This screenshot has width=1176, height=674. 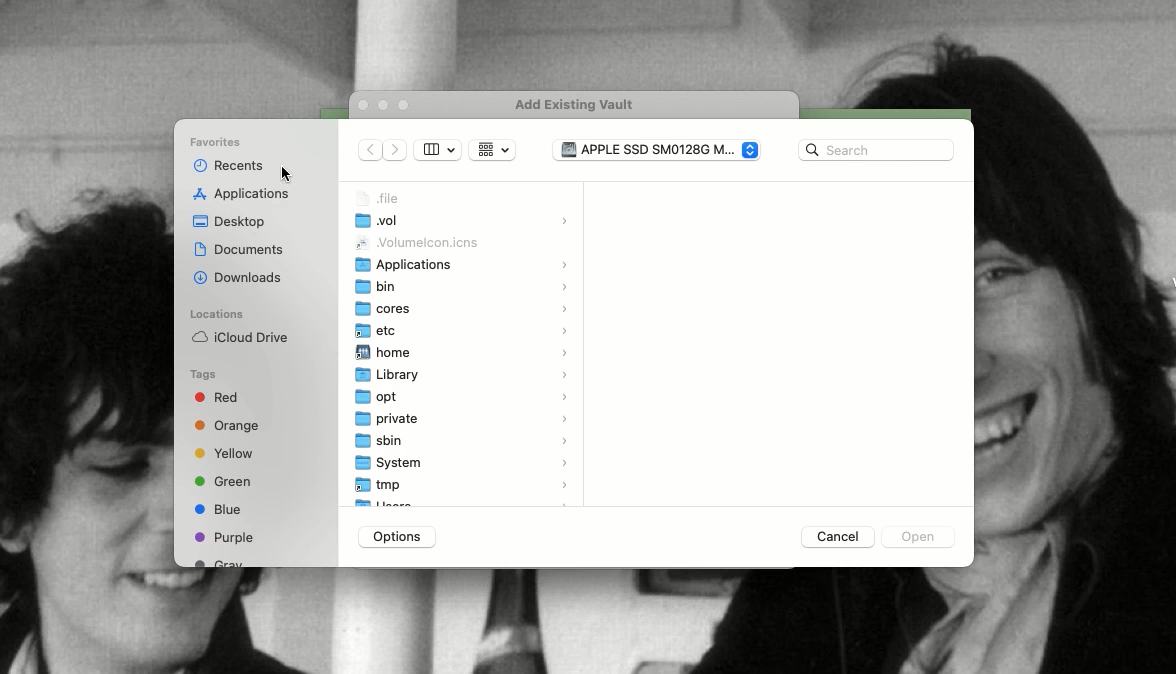 What do you see at coordinates (876, 150) in the screenshot?
I see `Search` at bounding box center [876, 150].